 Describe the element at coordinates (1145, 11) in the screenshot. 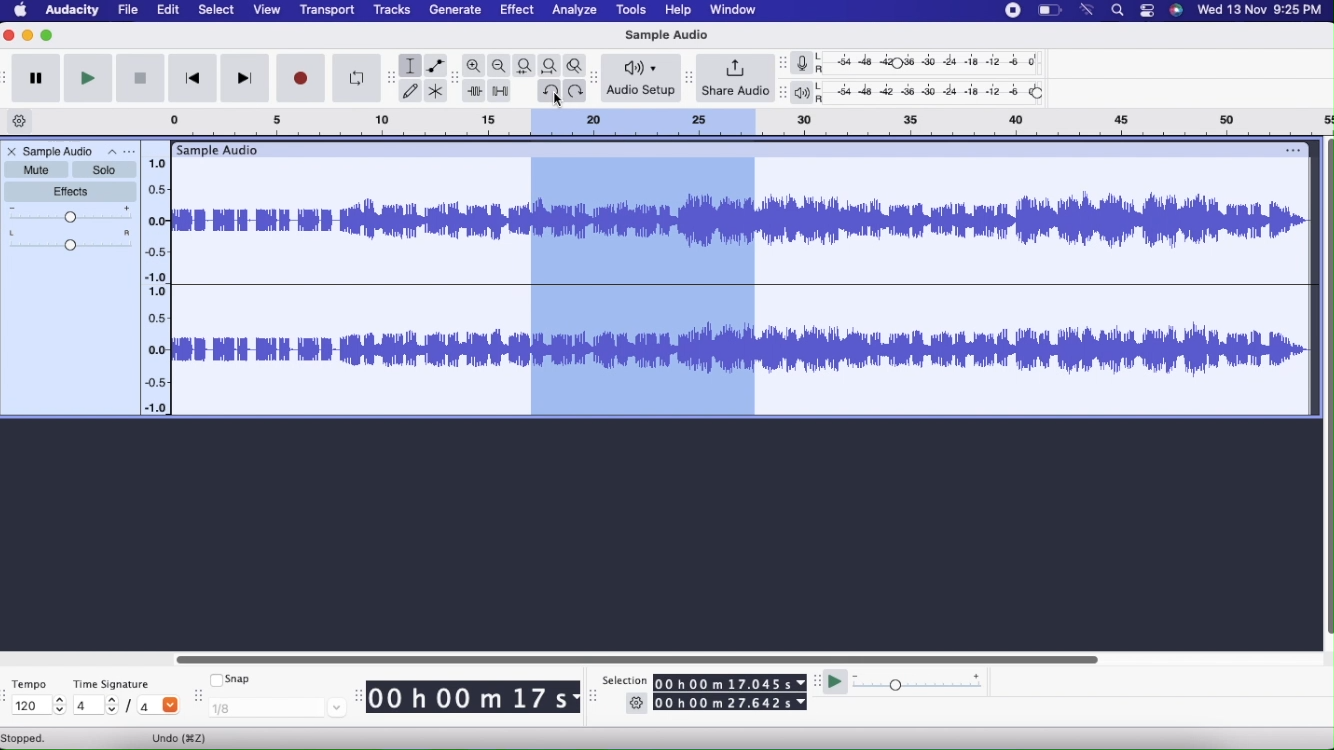

I see `toggle` at that location.